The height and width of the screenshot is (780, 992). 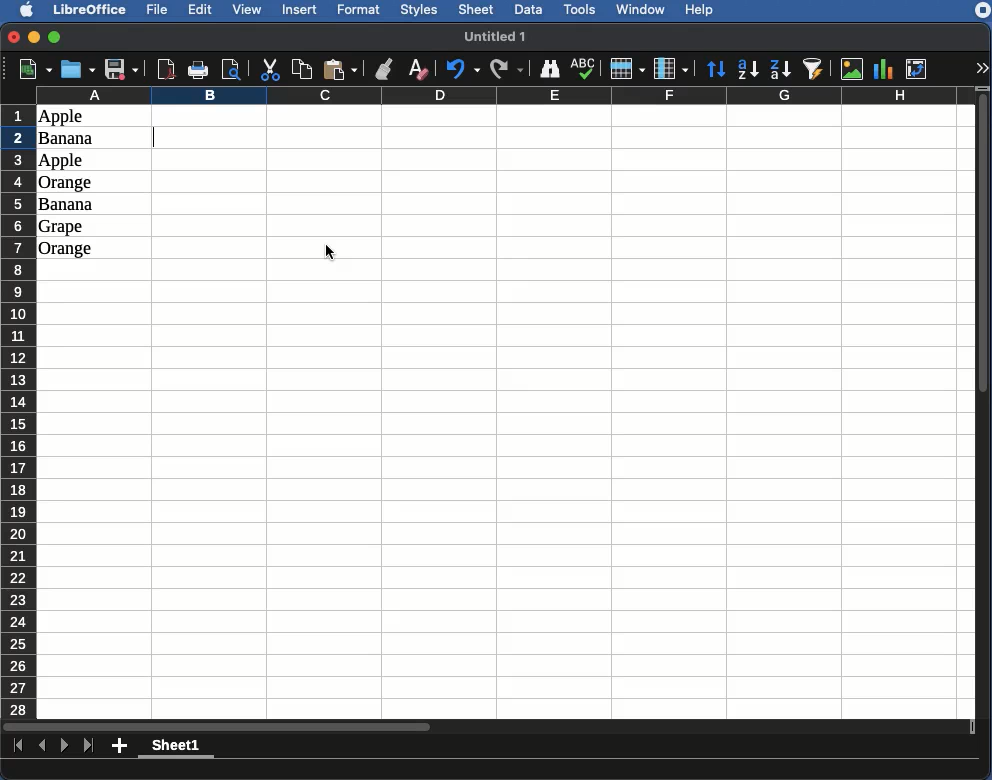 What do you see at coordinates (671, 68) in the screenshot?
I see `Column` at bounding box center [671, 68].